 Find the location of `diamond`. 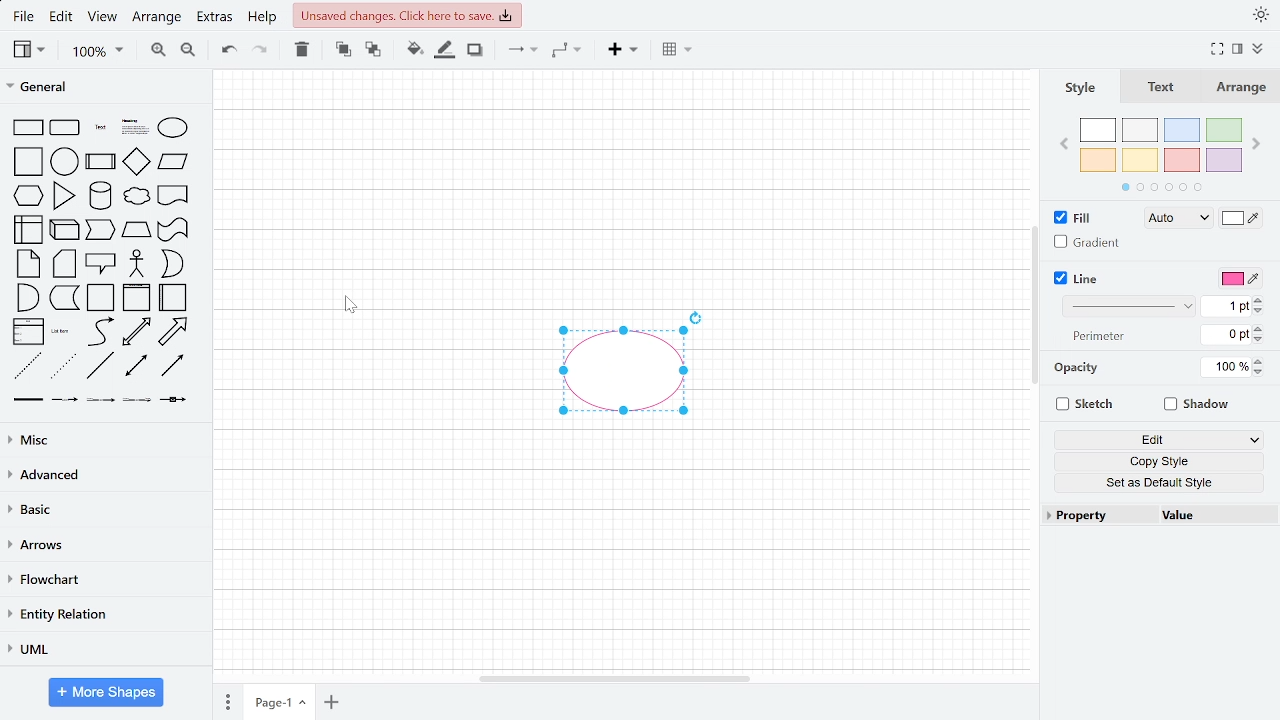

diamond is located at coordinates (138, 163).